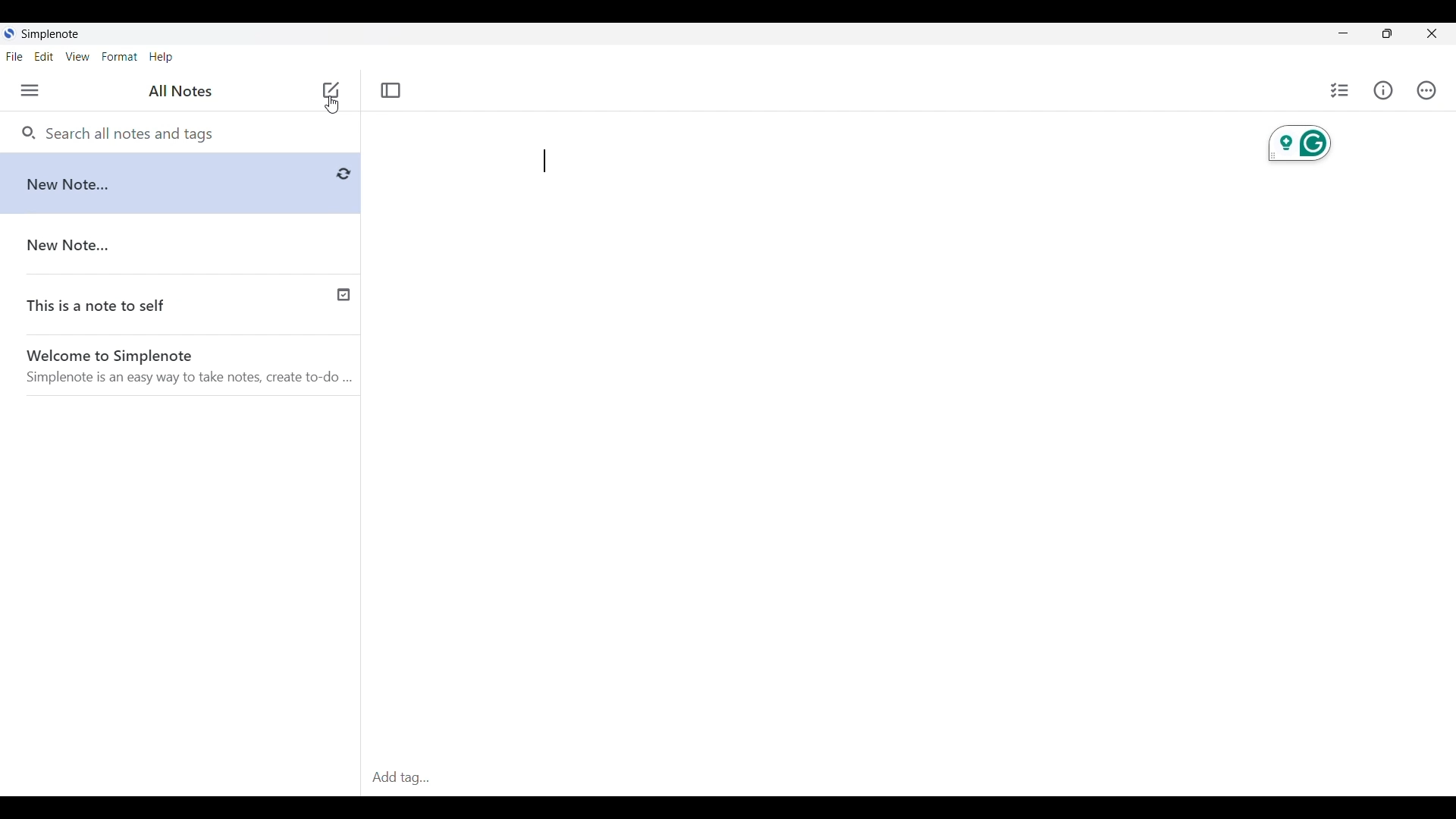 The image size is (1456, 819). Describe the element at coordinates (1383, 89) in the screenshot. I see `Info` at that location.